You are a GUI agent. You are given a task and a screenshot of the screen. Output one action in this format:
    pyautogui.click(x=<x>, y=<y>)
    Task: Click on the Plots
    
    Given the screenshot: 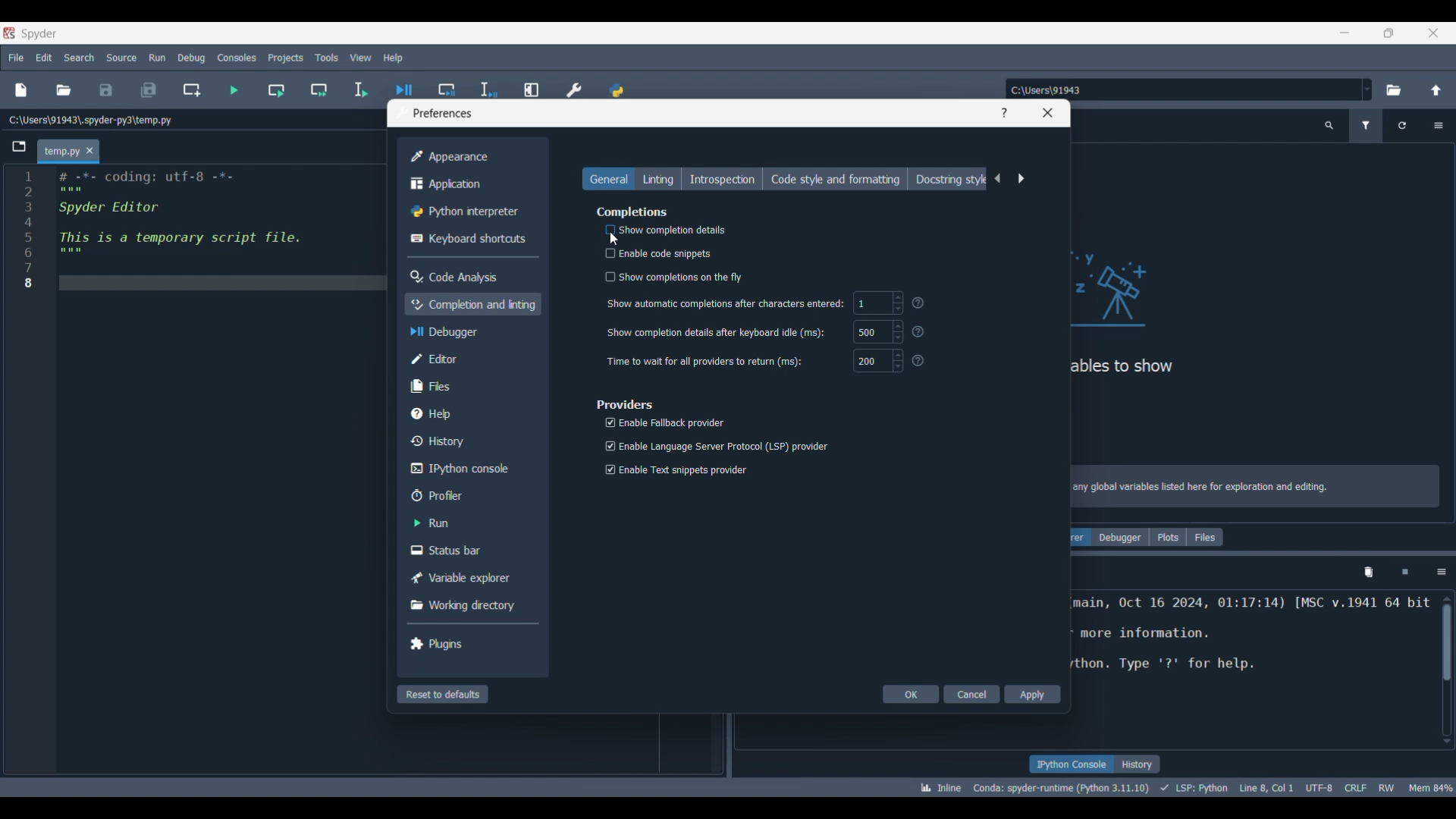 What is the action you would take?
    pyautogui.click(x=1168, y=537)
    